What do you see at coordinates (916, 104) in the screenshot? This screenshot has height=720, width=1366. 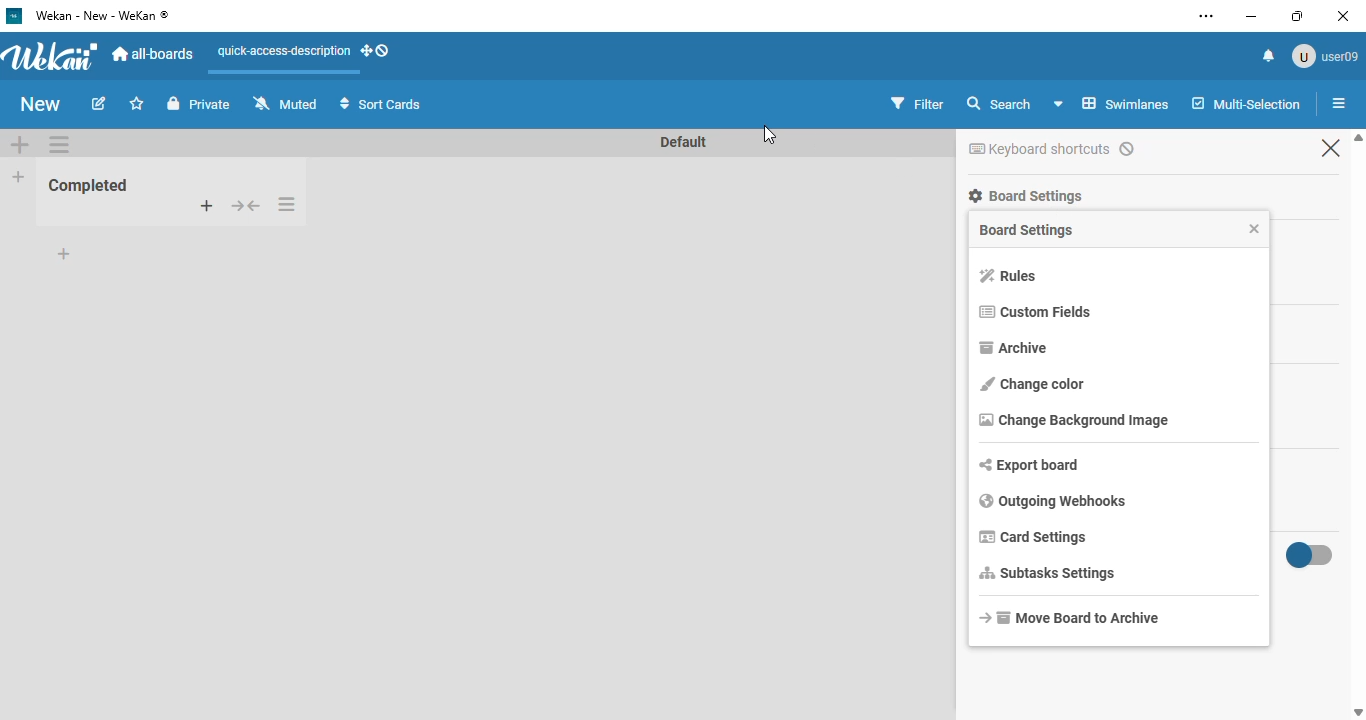 I see `filter` at bounding box center [916, 104].